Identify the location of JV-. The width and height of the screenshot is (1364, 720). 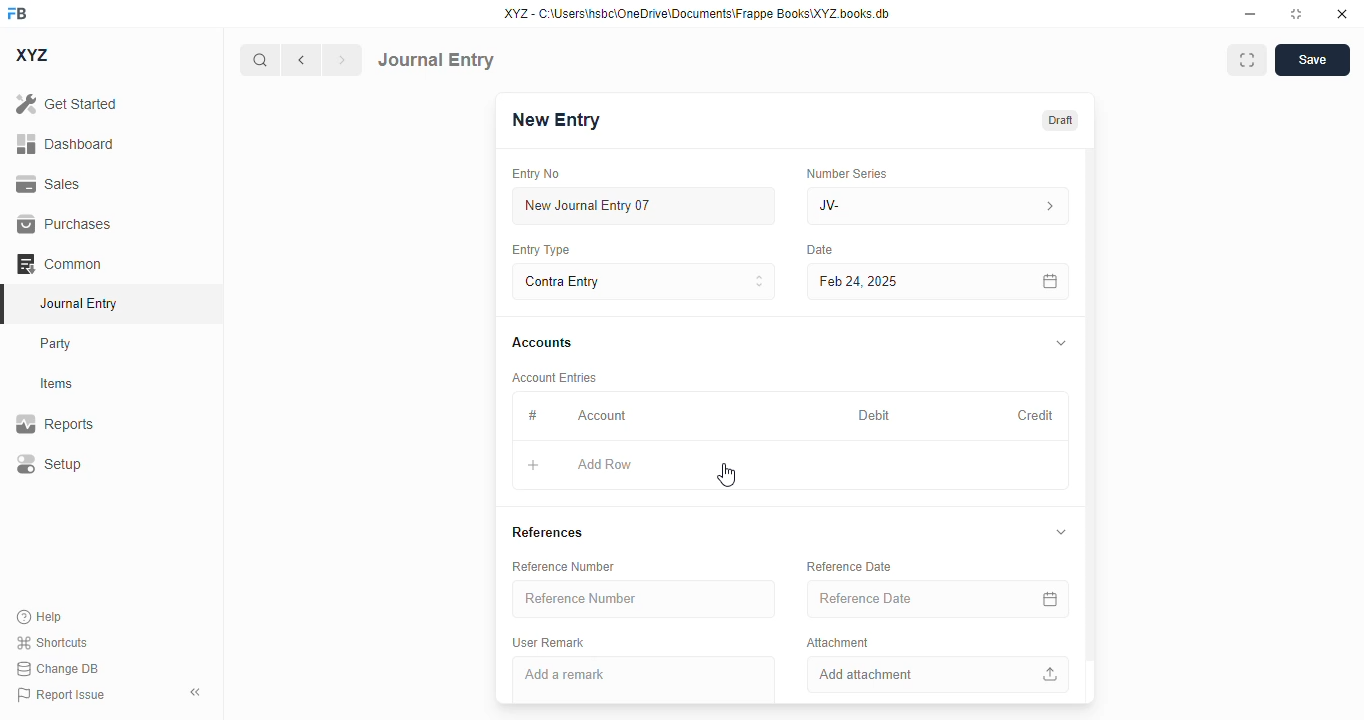
(938, 206).